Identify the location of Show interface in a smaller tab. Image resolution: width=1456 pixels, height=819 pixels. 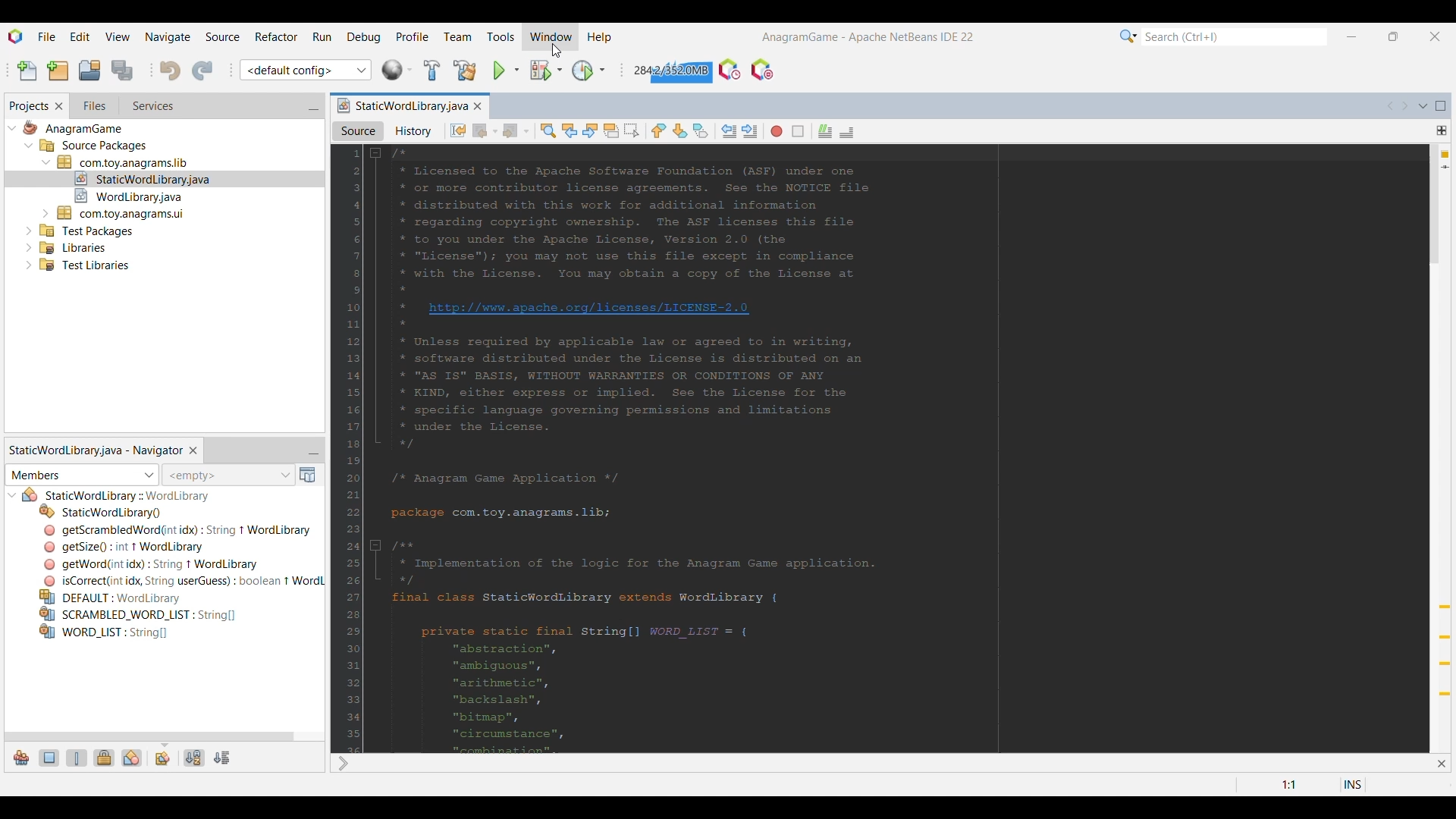
(1394, 36).